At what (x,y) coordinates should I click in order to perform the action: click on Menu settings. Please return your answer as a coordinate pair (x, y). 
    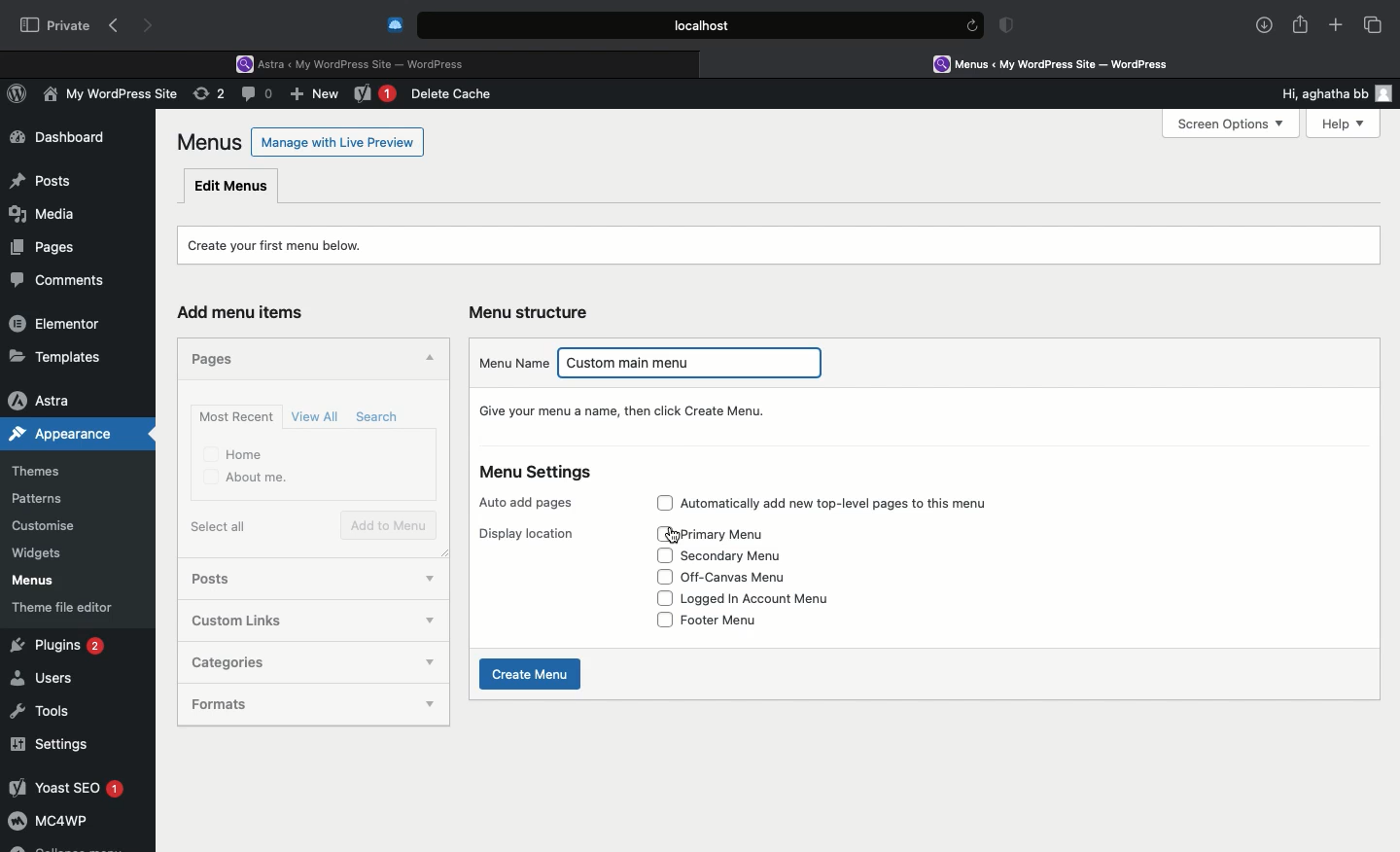
    Looking at the image, I should click on (539, 473).